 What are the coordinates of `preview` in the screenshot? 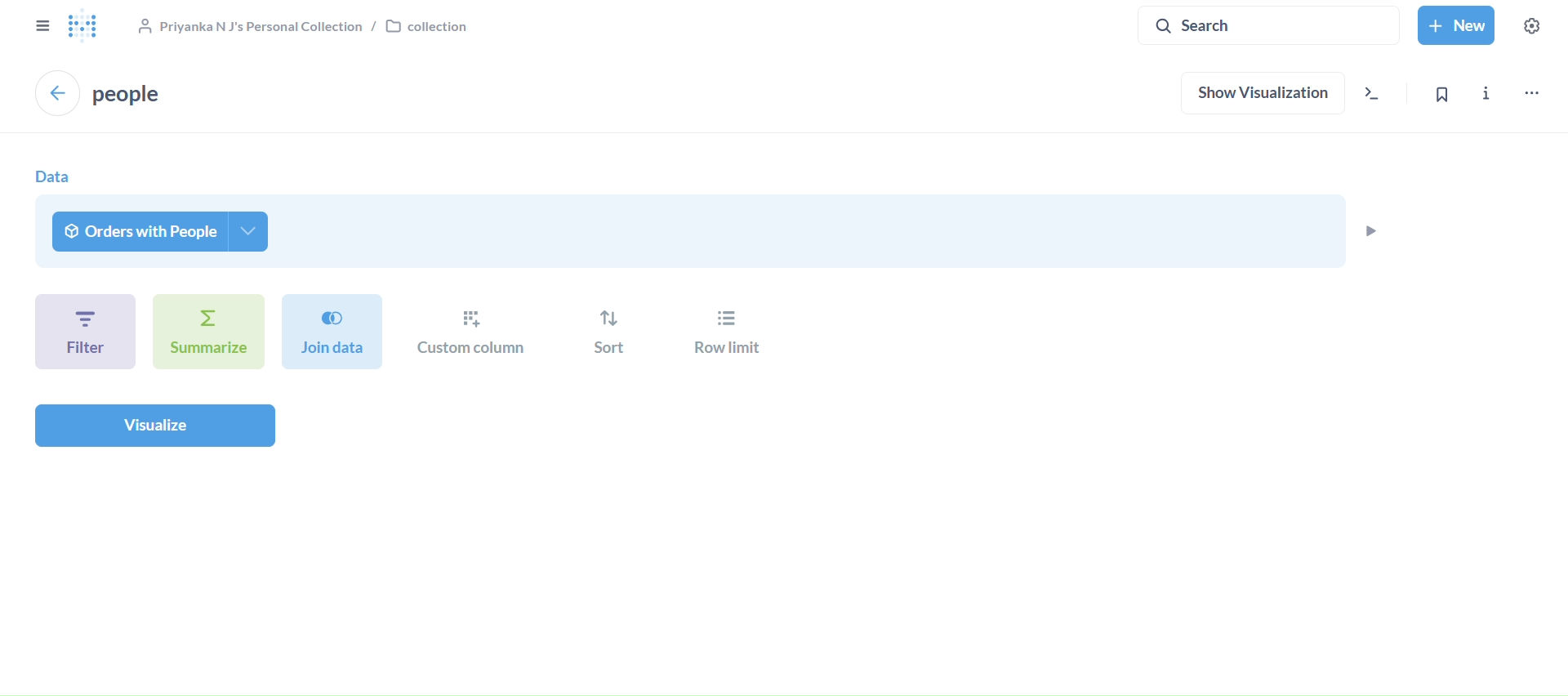 It's located at (1370, 230).